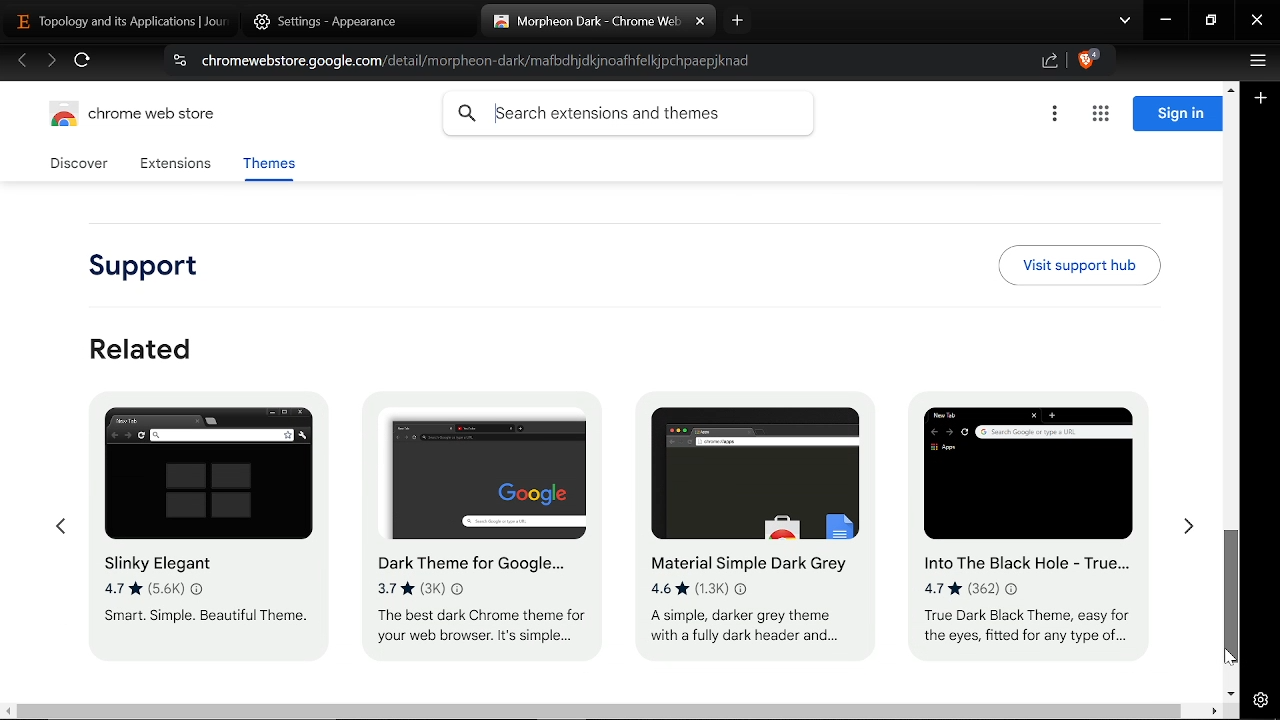 This screenshot has height=720, width=1280. What do you see at coordinates (268, 167) in the screenshot?
I see `Themes` at bounding box center [268, 167].